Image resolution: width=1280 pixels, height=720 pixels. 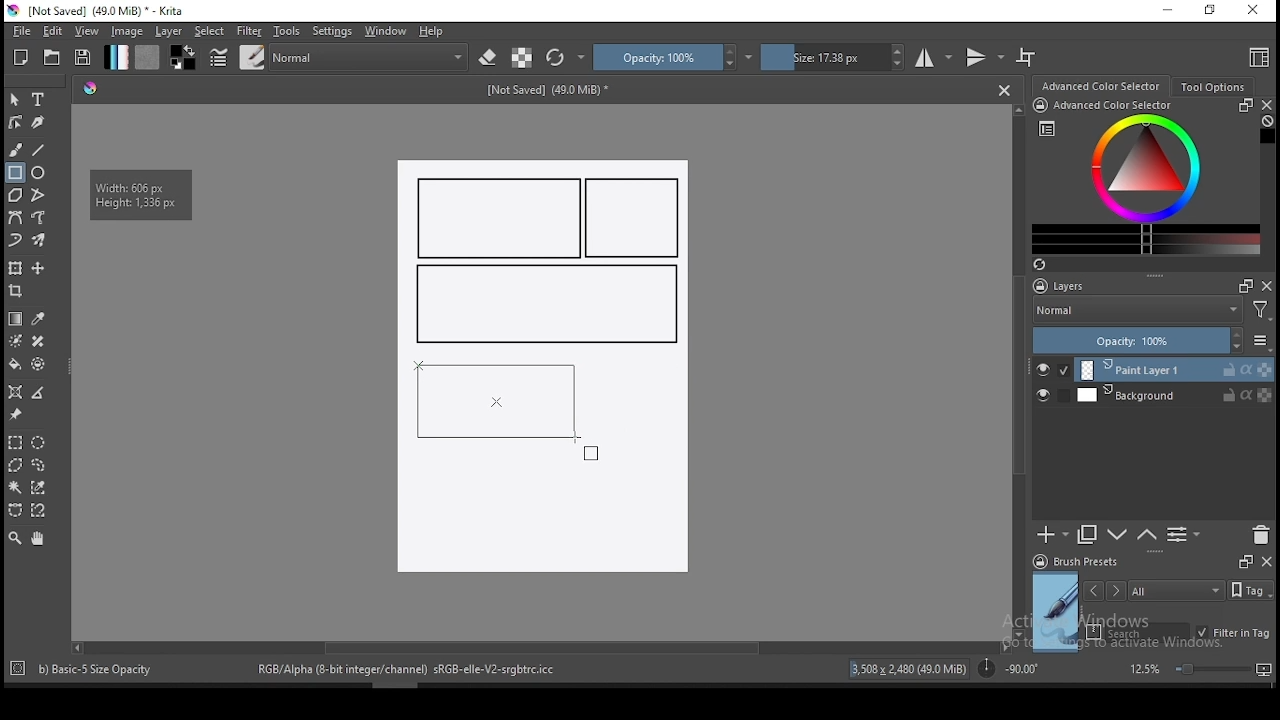 What do you see at coordinates (52, 57) in the screenshot?
I see `open` at bounding box center [52, 57].